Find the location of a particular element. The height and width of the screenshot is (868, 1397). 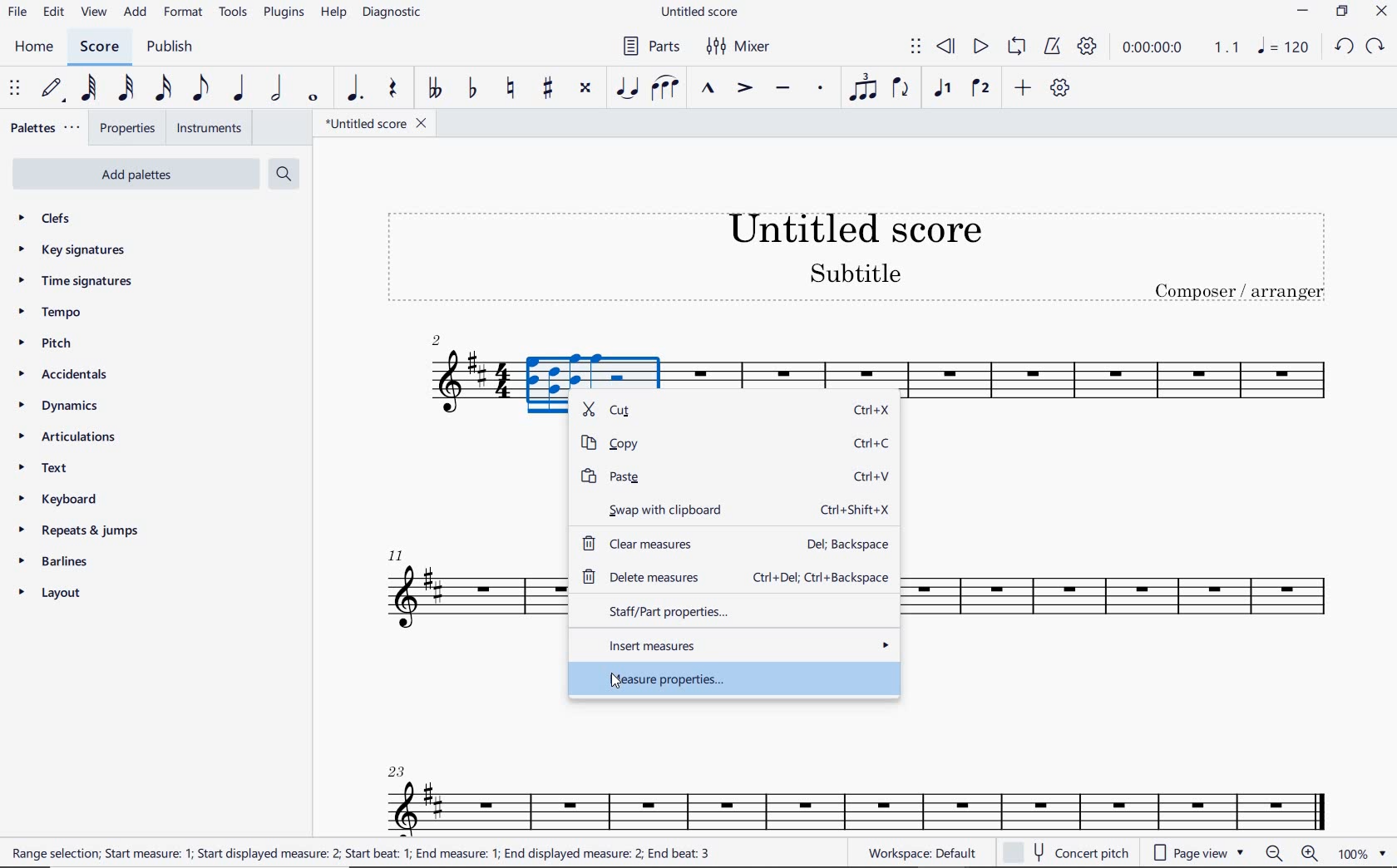

WHOLE NOTE is located at coordinates (311, 97).